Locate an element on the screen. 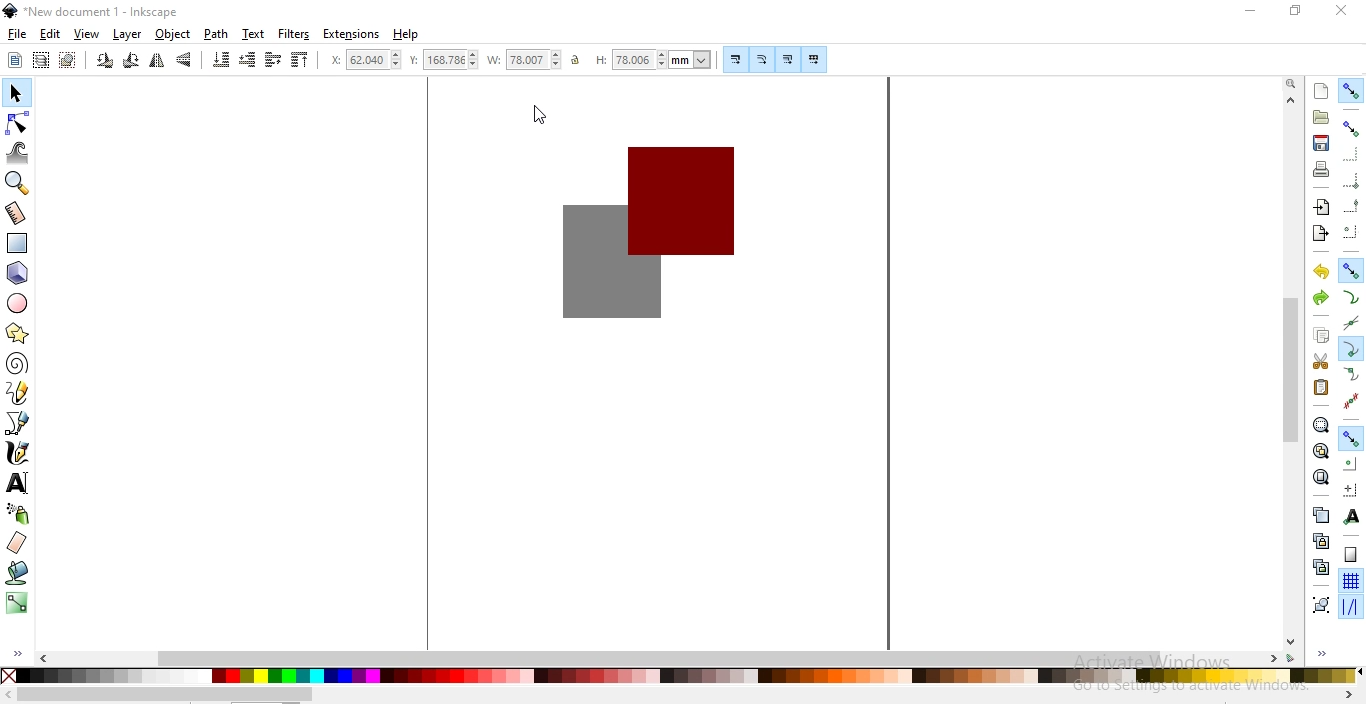  snap midpoints of line segments is located at coordinates (1350, 401).